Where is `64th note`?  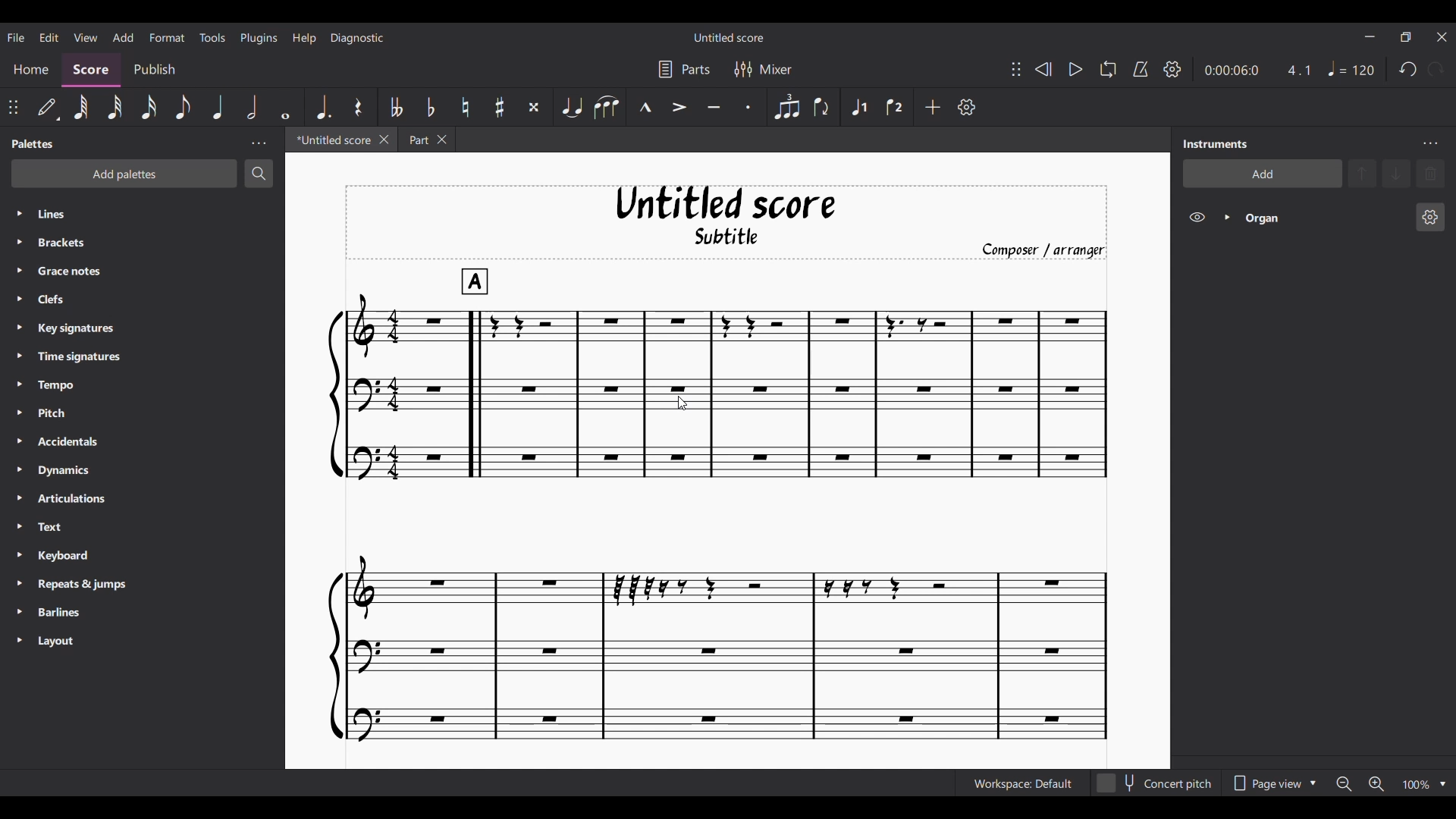
64th note is located at coordinates (81, 108).